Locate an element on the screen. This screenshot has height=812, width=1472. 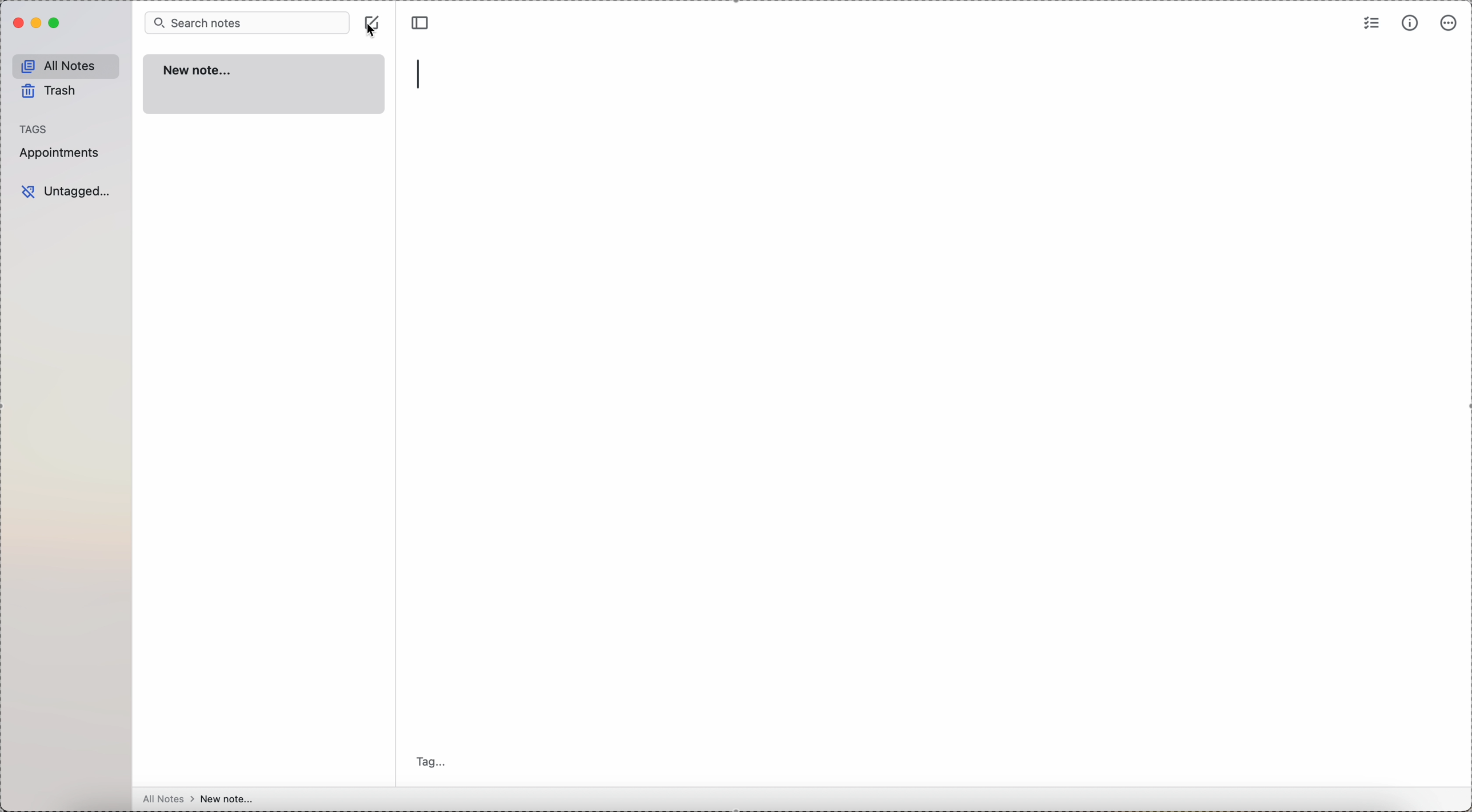
close program is located at coordinates (17, 23).